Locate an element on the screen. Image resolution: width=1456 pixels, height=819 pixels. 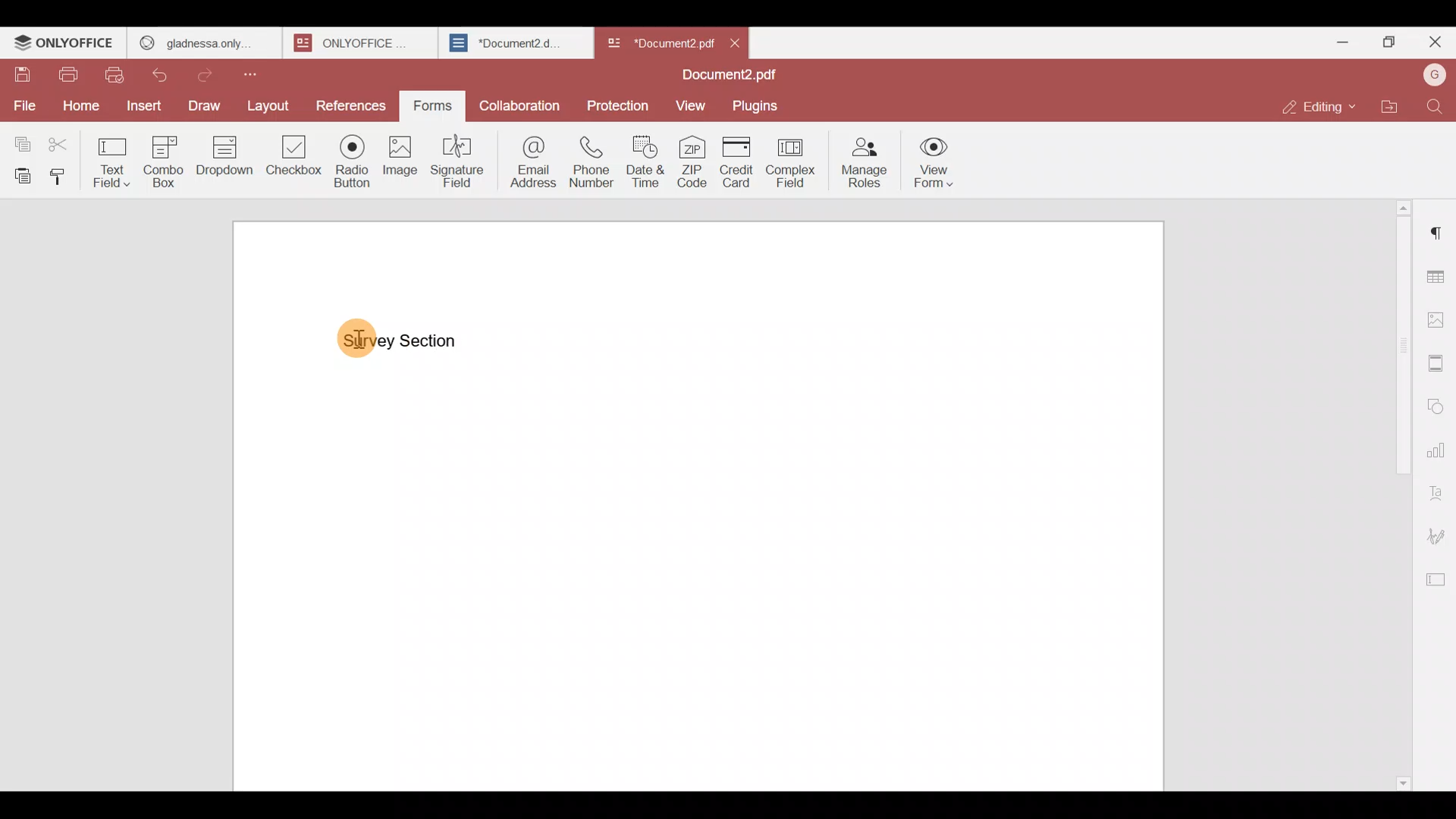
Combo box is located at coordinates (161, 161).